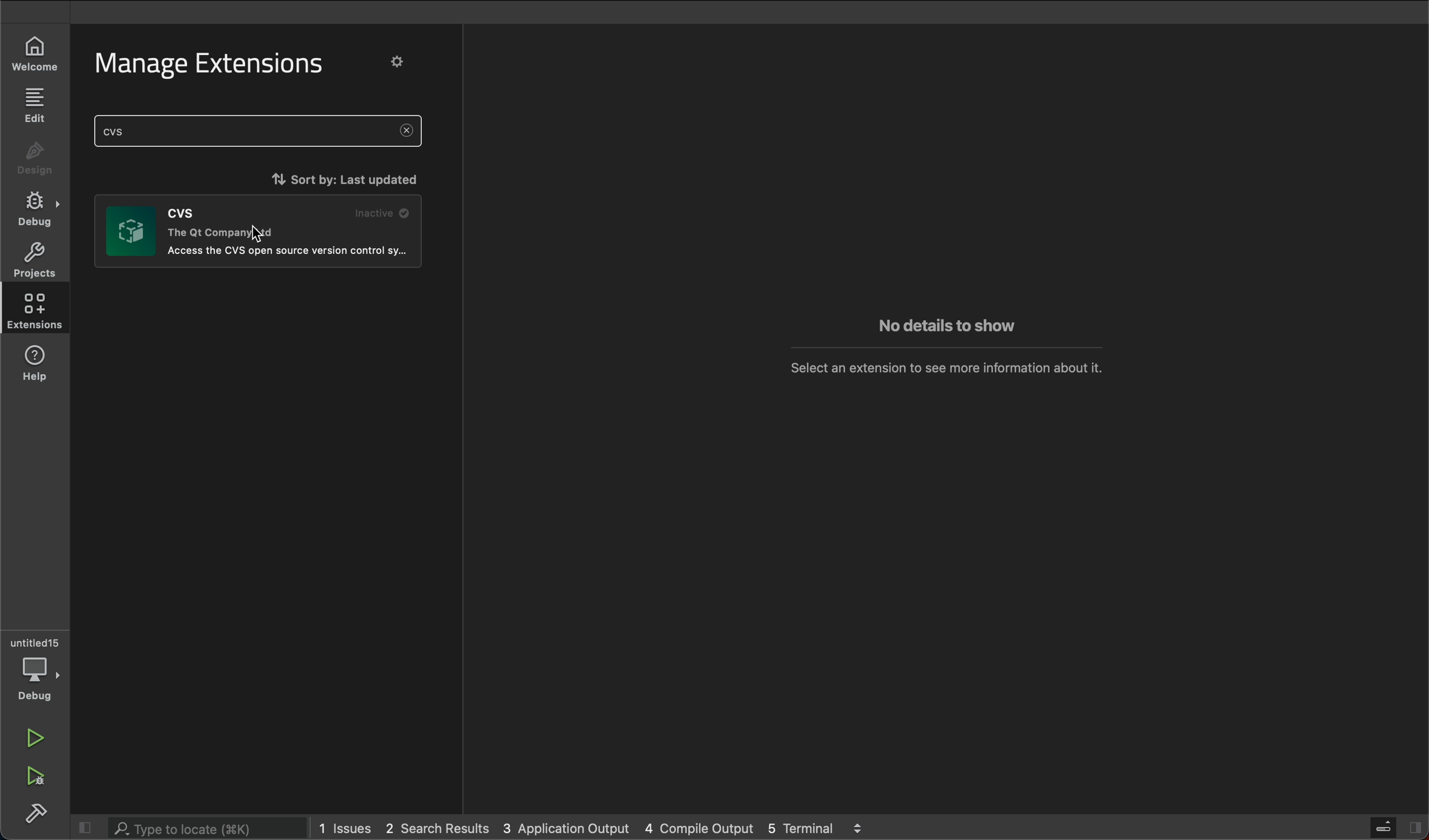 This screenshot has width=1429, height=840. Describe the element at coordinates (222, 64) in the screenshot. I see `manage extensions` at that location.